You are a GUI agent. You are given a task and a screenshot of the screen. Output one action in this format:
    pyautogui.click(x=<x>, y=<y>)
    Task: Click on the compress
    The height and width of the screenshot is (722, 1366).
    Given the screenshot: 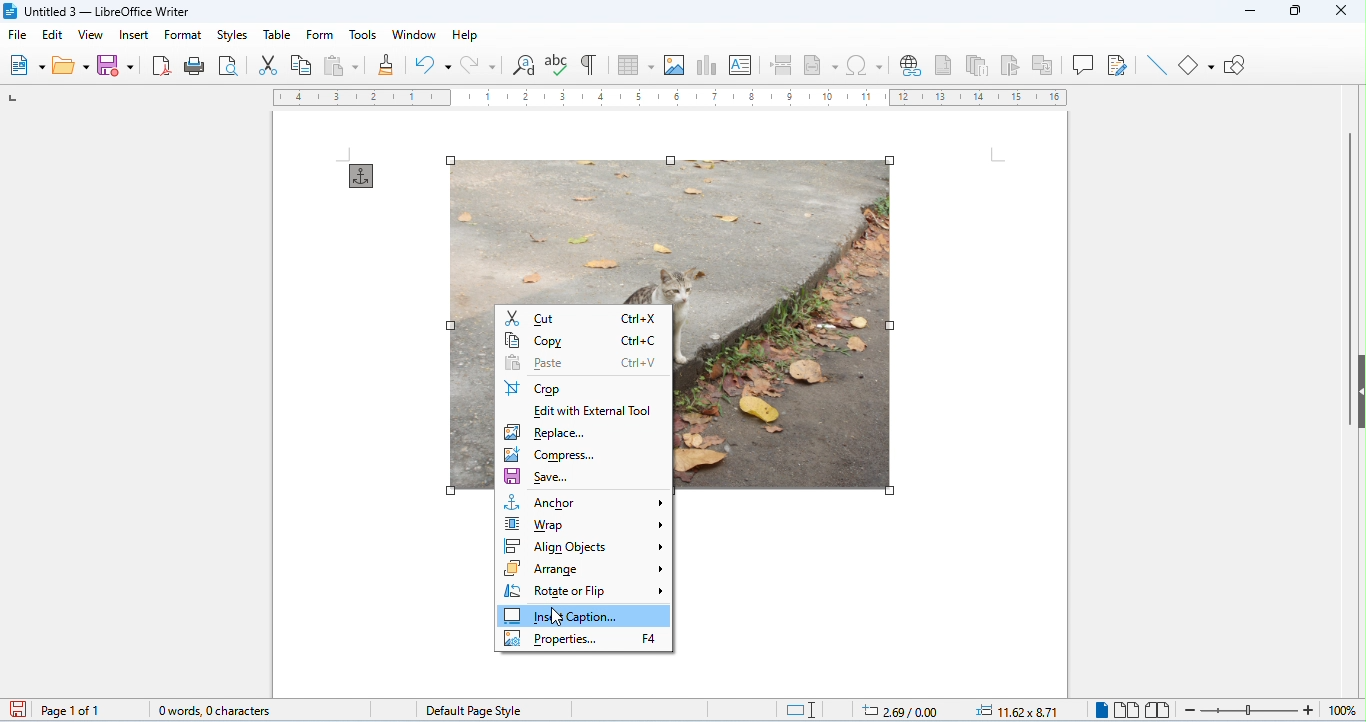 What is the action you would take?
    pyautogui.click(x=552, y=455)
    